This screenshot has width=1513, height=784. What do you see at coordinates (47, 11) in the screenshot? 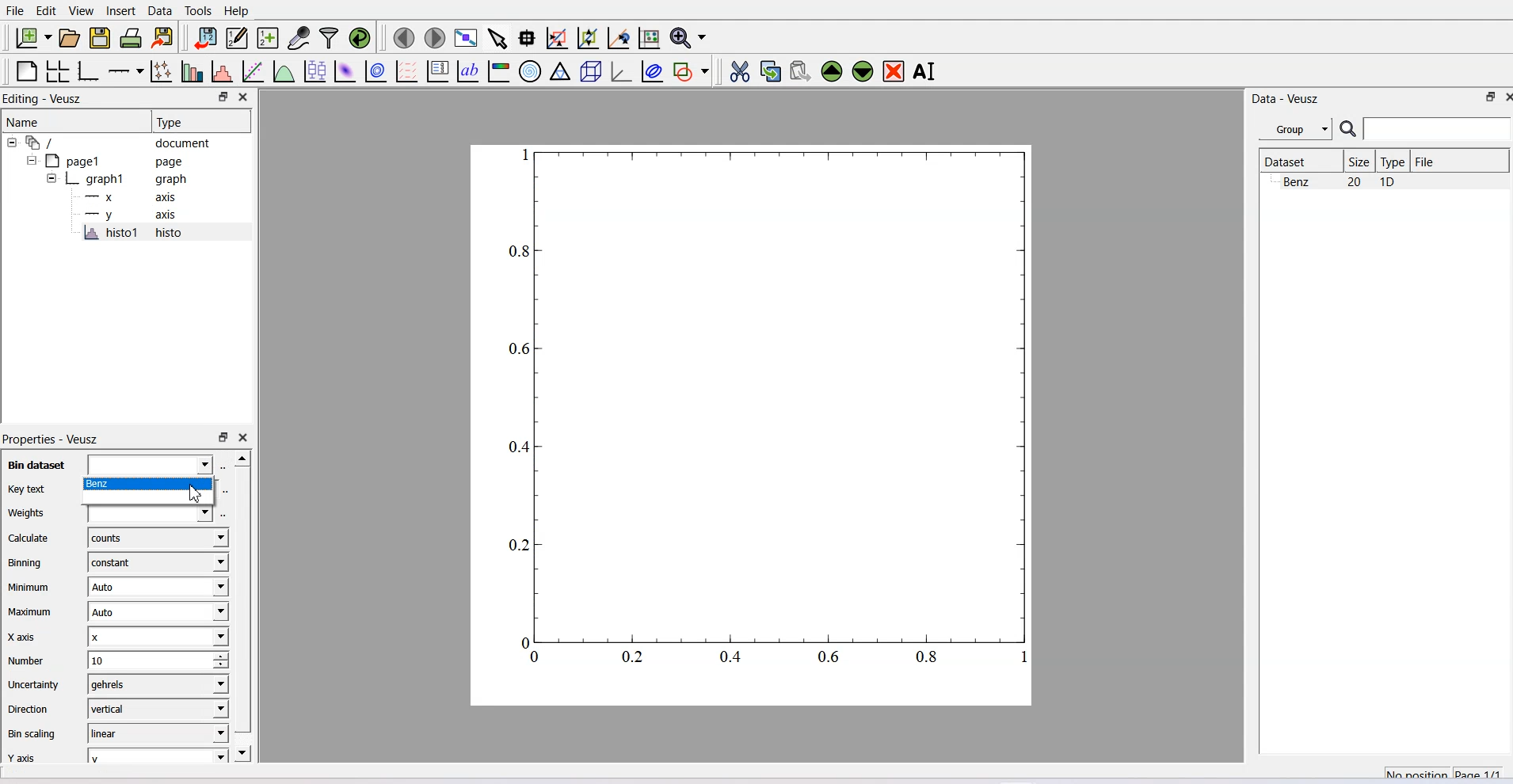
I see `Edit` at bounding box center [47, 11].